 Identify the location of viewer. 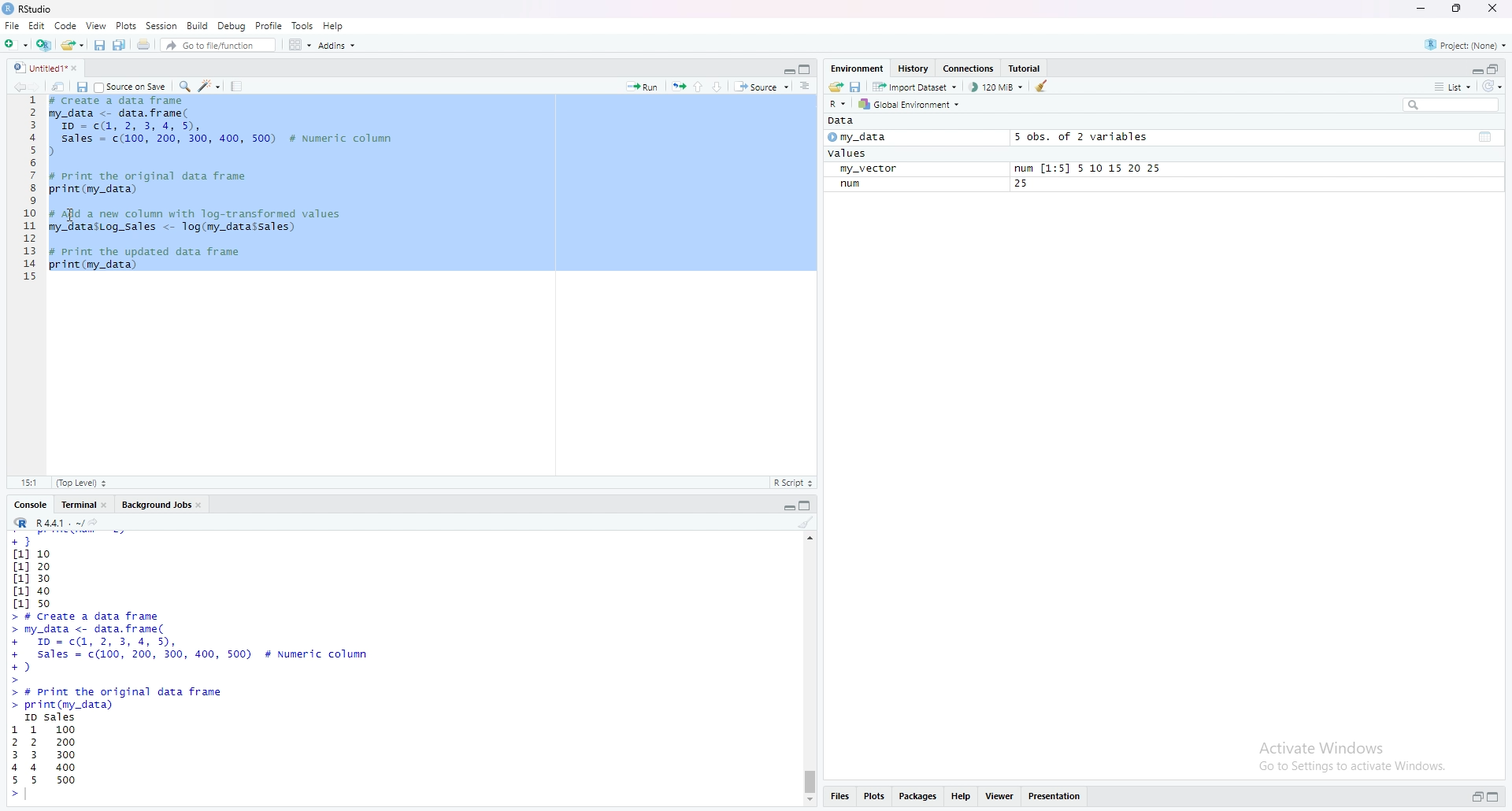
(1000, 798).